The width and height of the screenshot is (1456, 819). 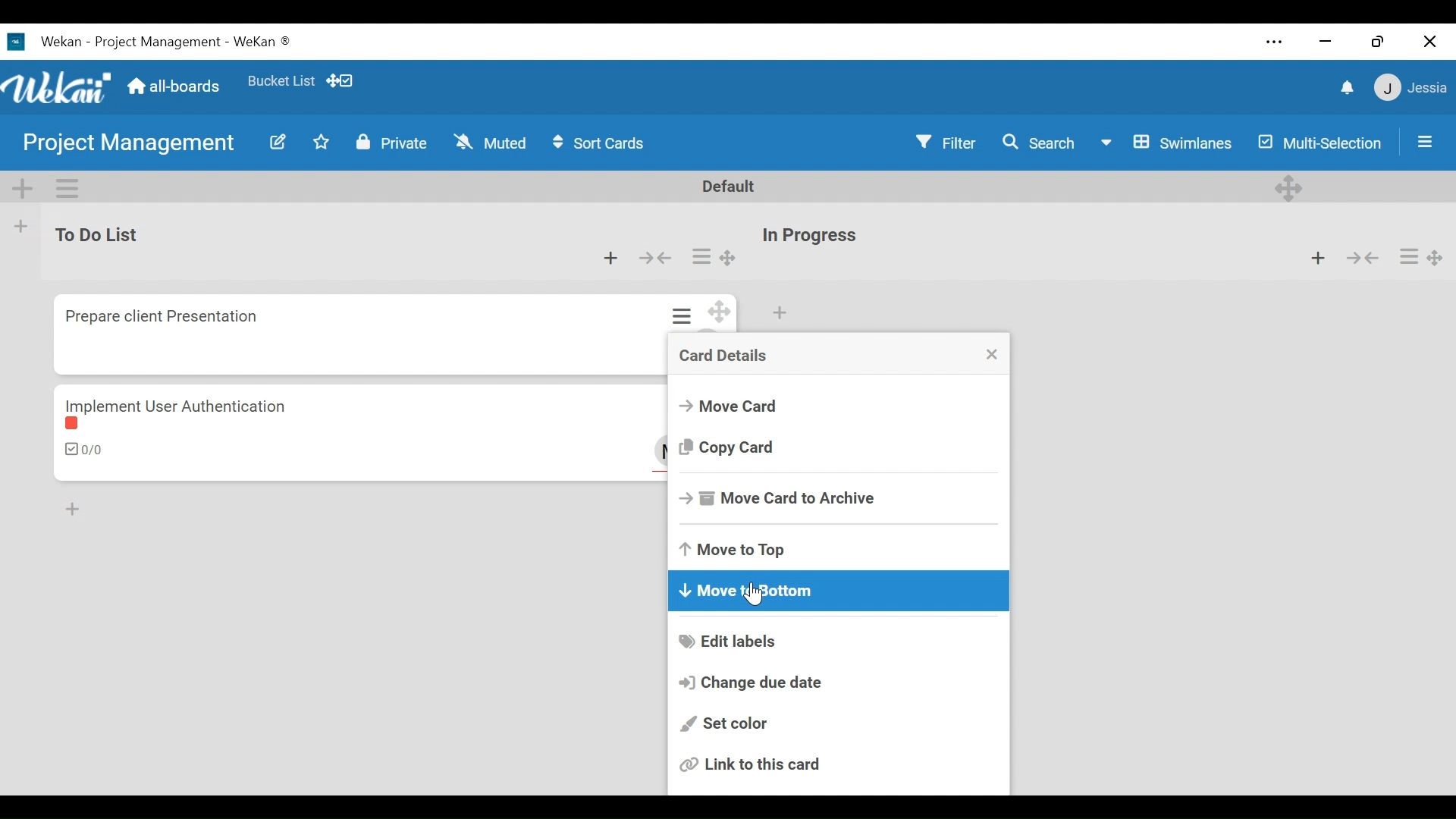 I want to click on Add Card to Botton of the list, so click(x=72, y=510).